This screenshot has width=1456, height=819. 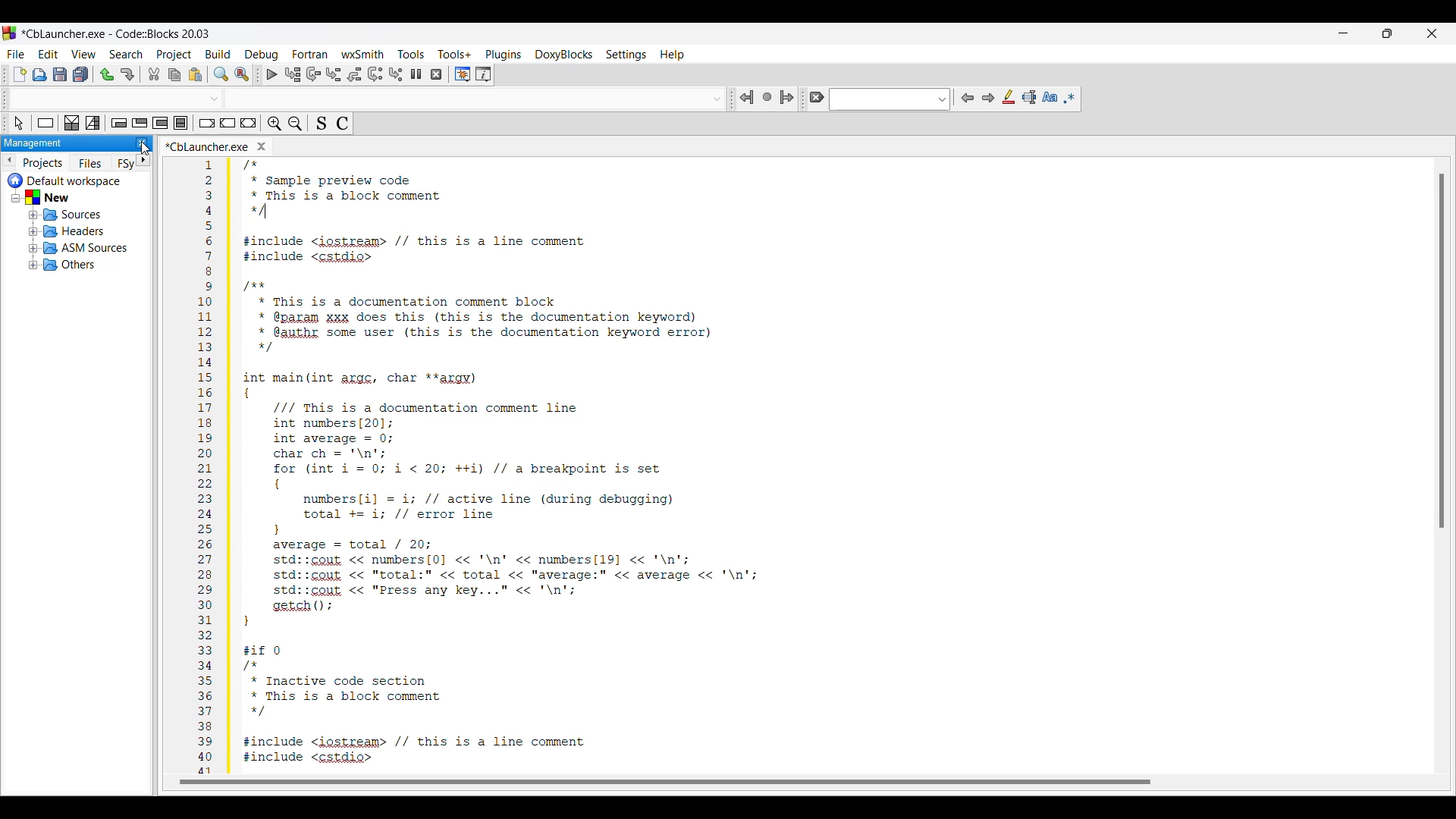 What do you see at coordinates (968, 98) in the screenshot?
I see `Previous` at bounding box center [968, 98].